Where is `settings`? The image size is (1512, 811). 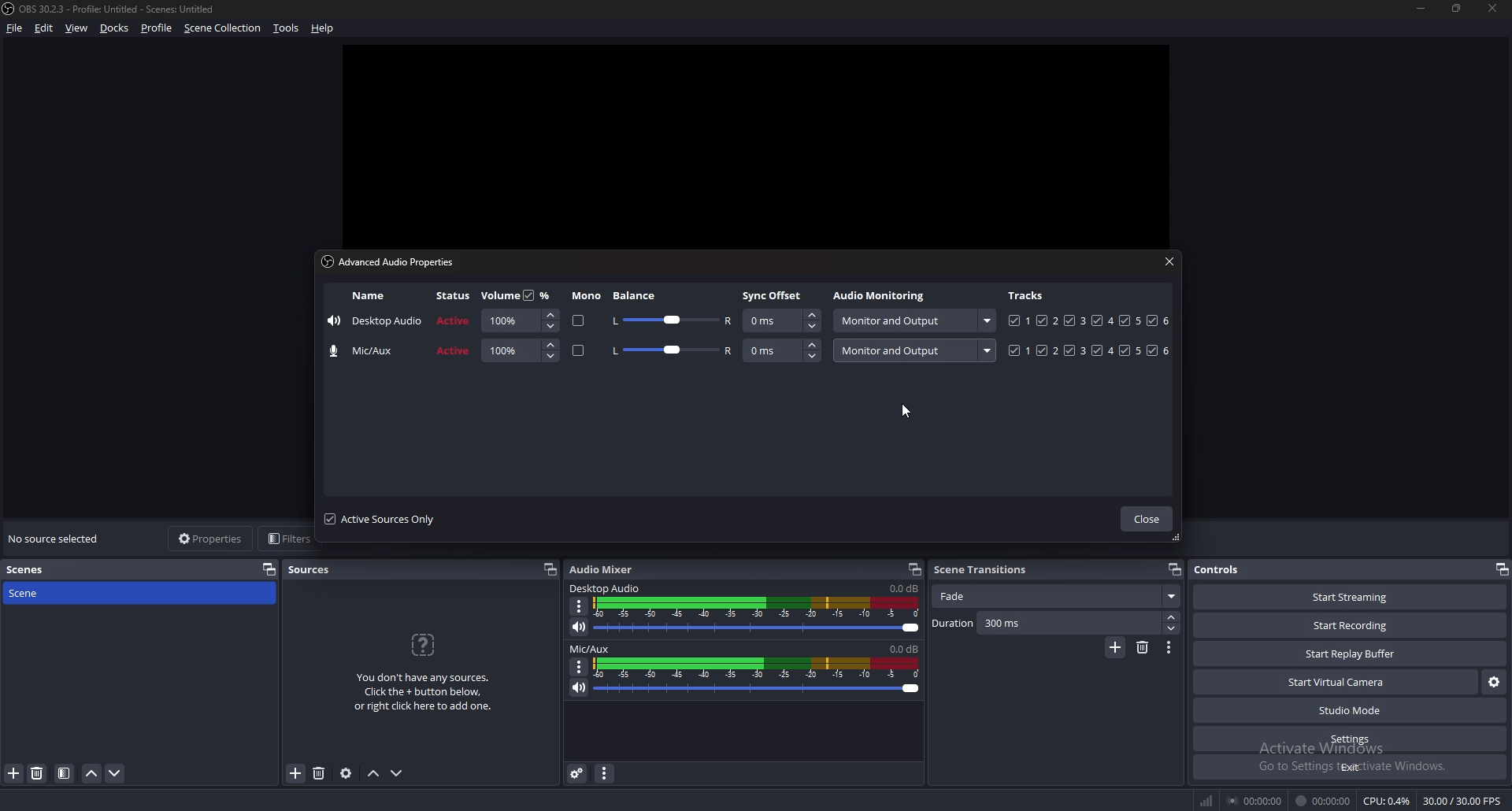
settings is located at coordinates (1349, 739).